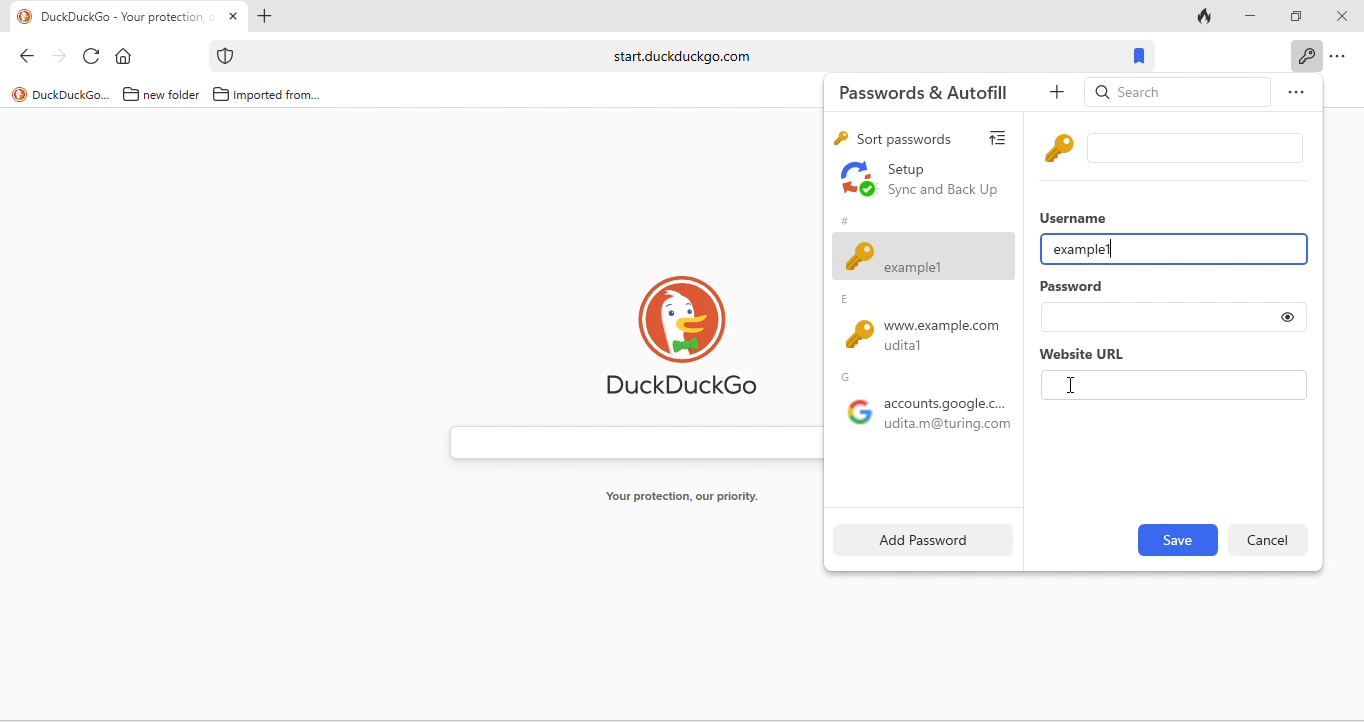 The image size is (1364, 722). What do you see at coordinates (626, 438) in the screenshot?
I see `search bar` at bounding box center [626, 438].